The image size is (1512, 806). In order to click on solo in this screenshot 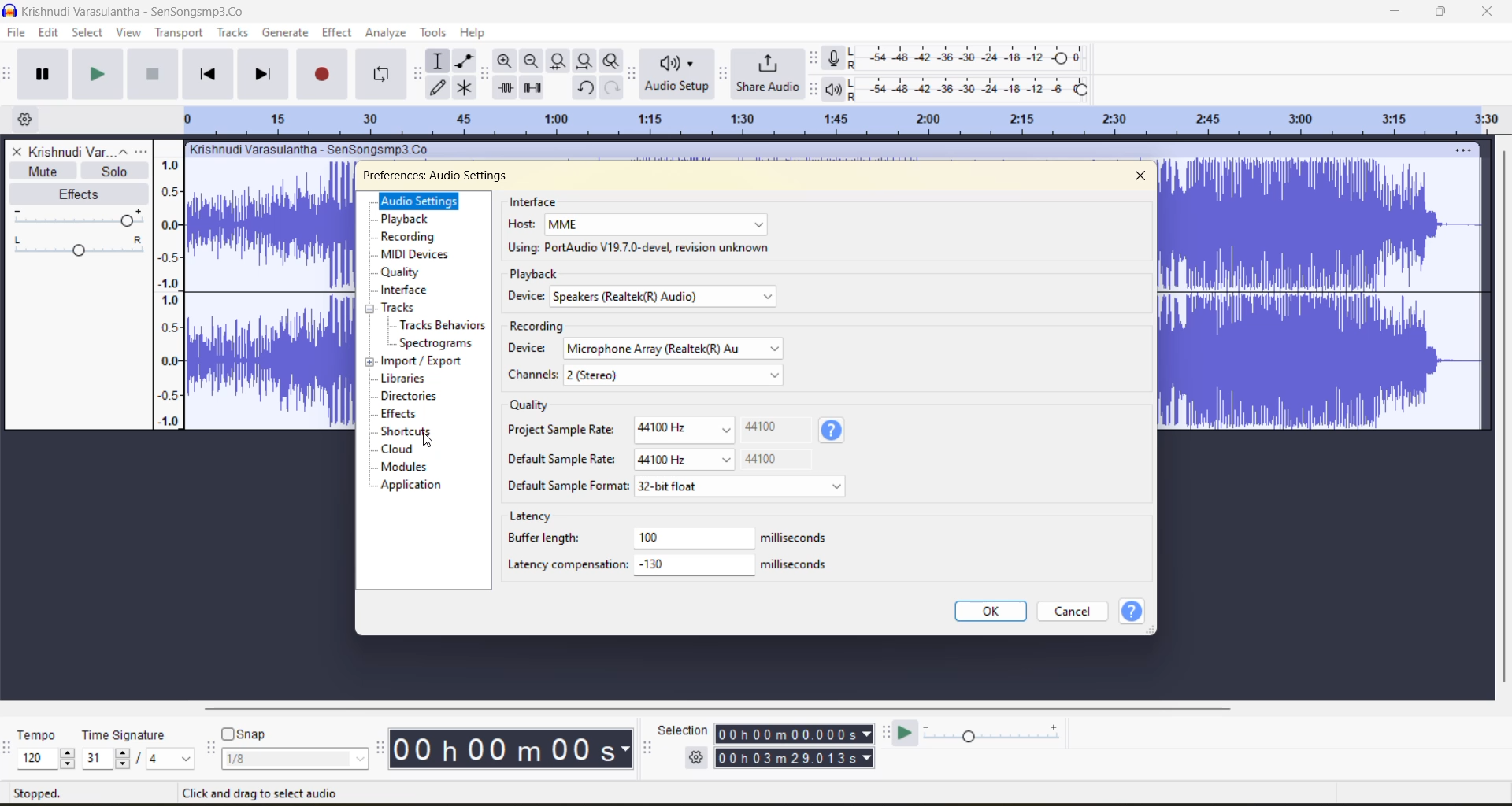, I will do `click(117, 172)`.